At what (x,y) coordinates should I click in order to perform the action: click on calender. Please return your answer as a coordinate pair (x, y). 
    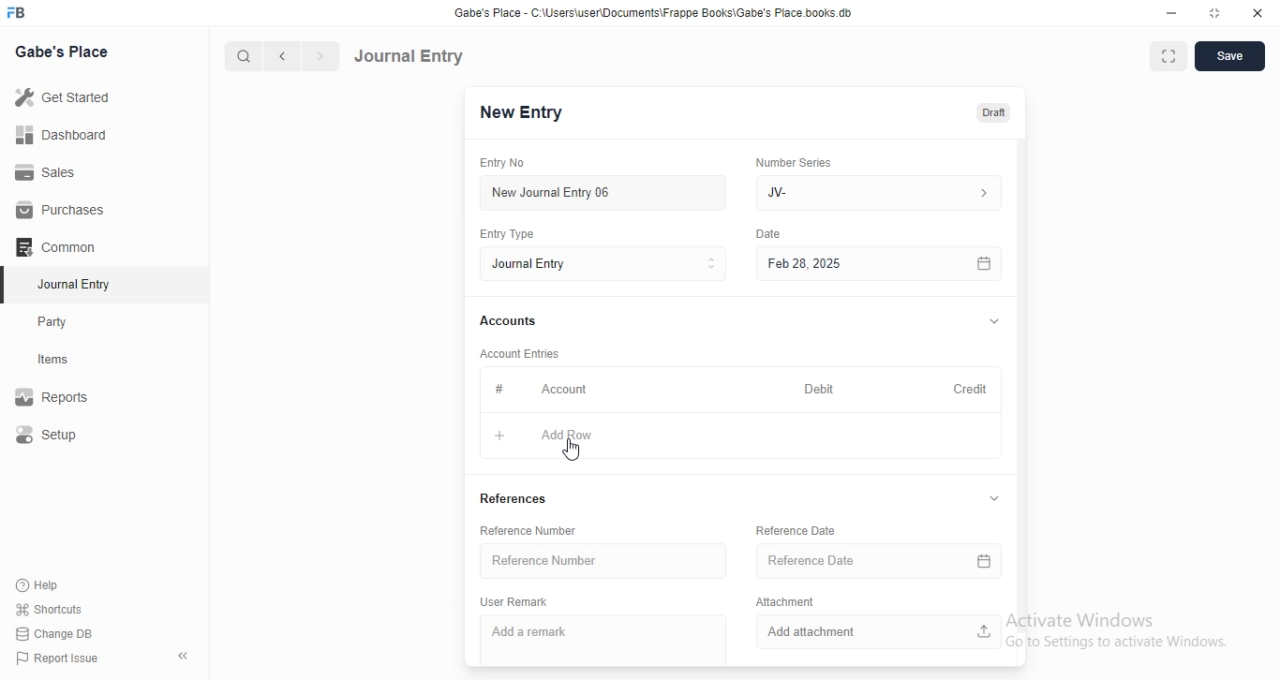
    Looking at the image, I should click on (982, 562).